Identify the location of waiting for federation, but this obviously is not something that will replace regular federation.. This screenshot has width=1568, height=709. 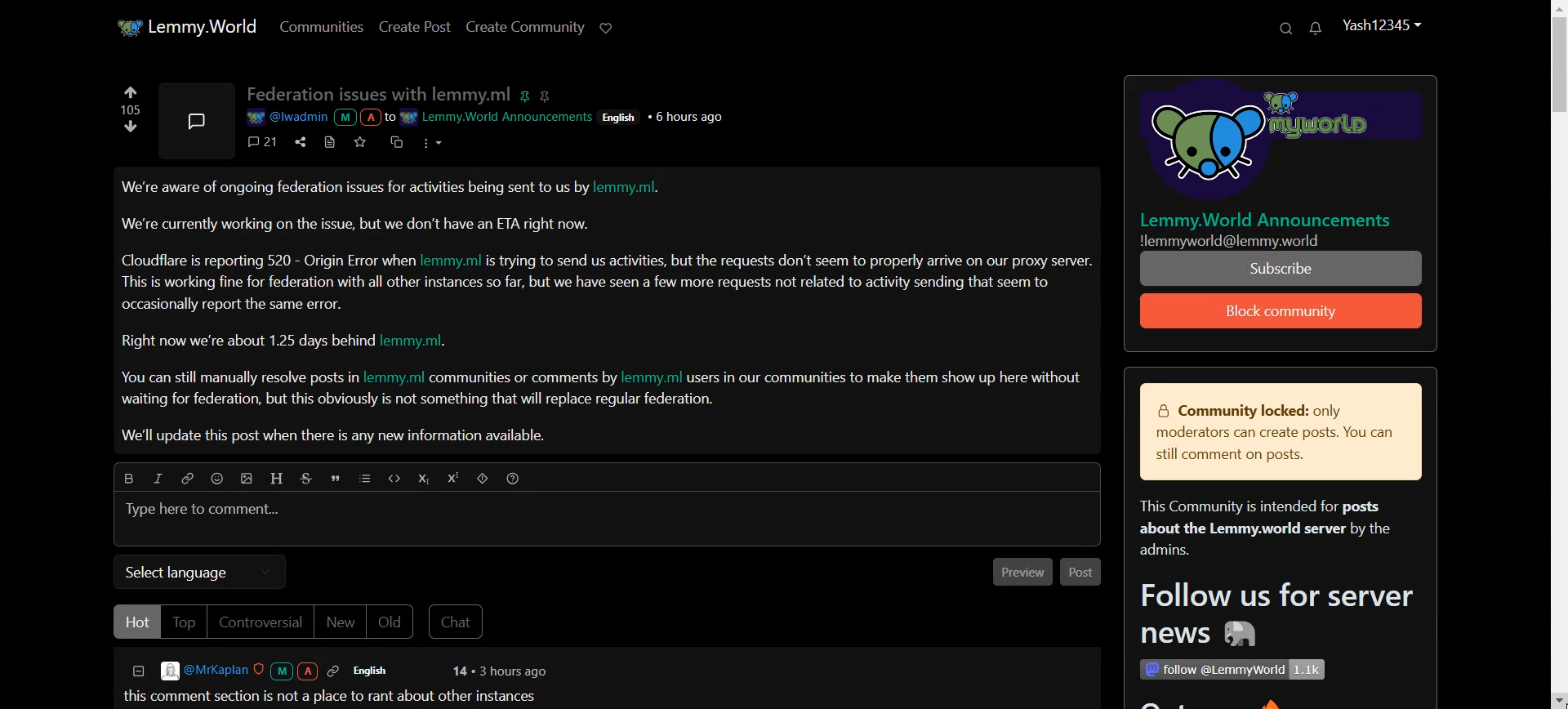
(421, 399).